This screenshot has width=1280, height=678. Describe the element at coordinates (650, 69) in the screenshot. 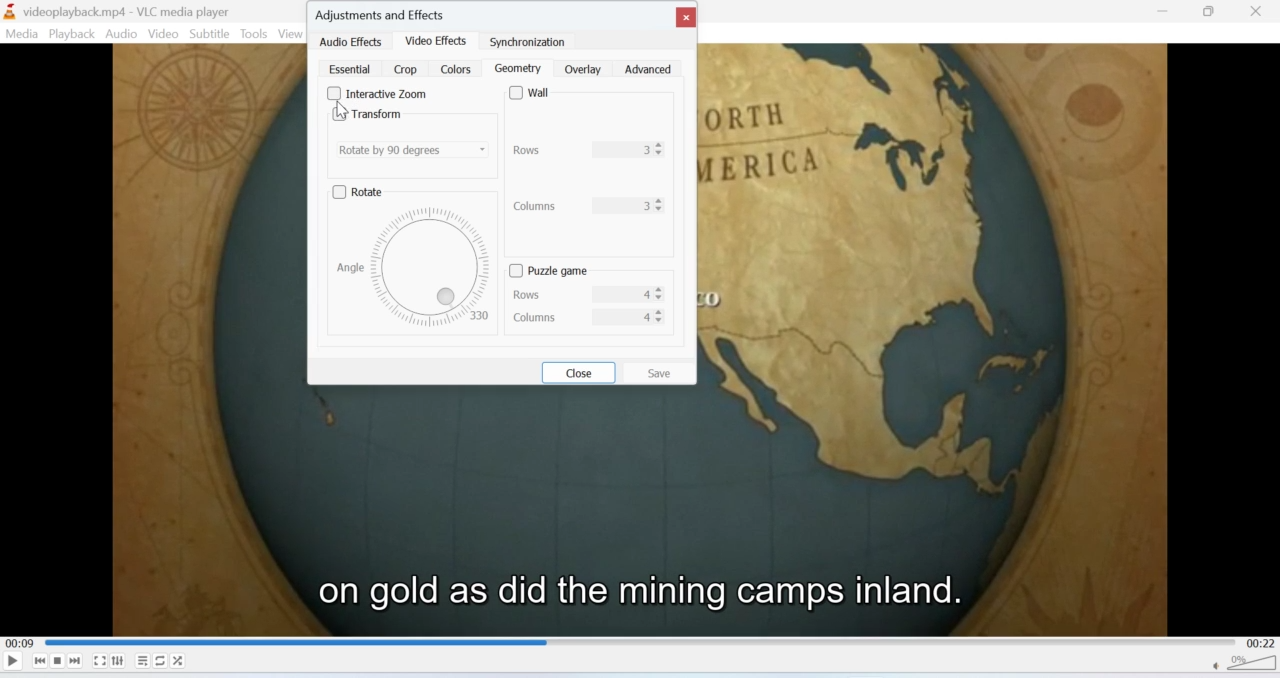

I see `advanced` at that location.